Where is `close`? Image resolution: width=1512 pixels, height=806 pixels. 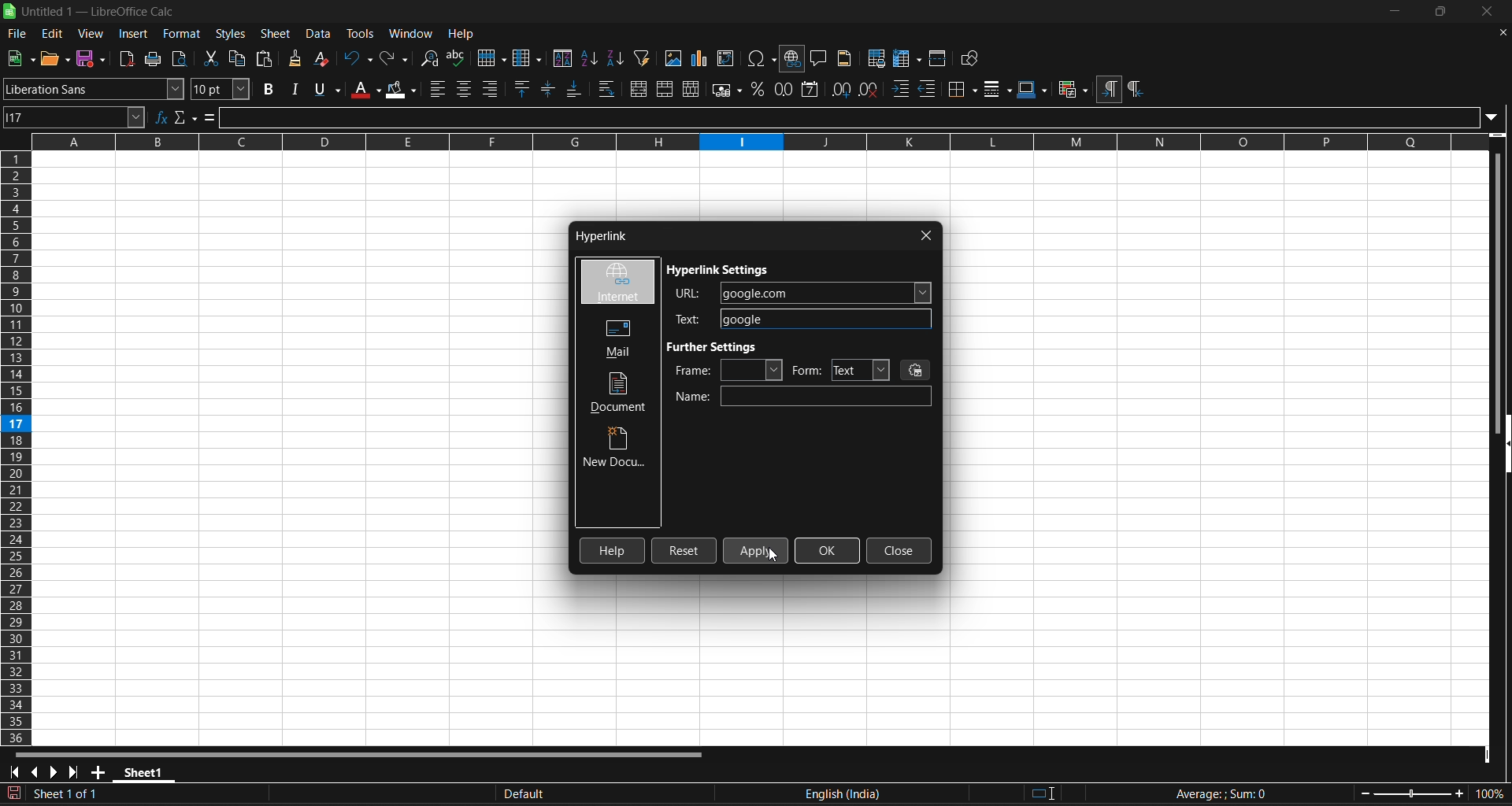
close is located at coordinates (1484, 11).